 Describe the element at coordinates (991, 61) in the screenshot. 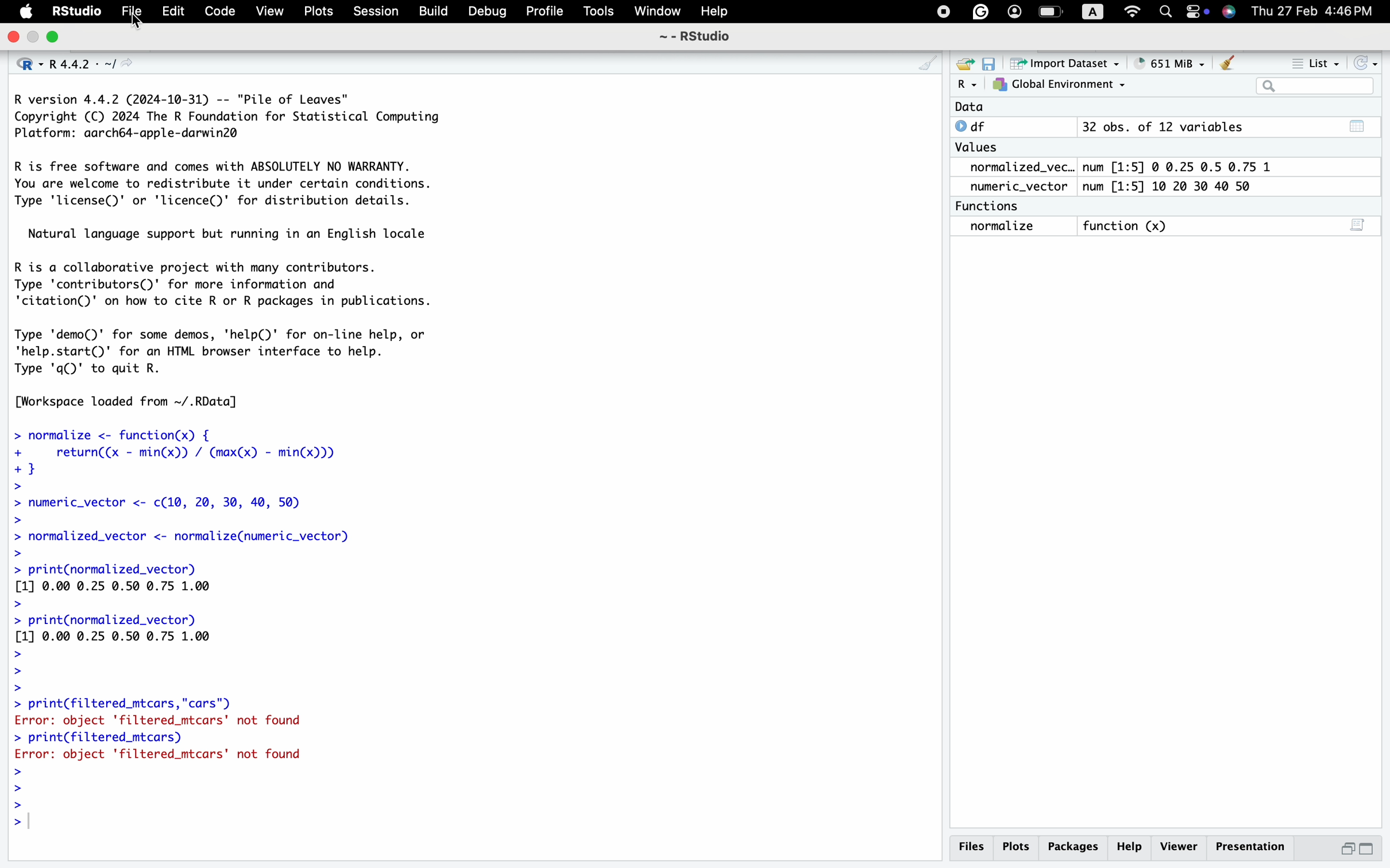

I see `save` at that location.